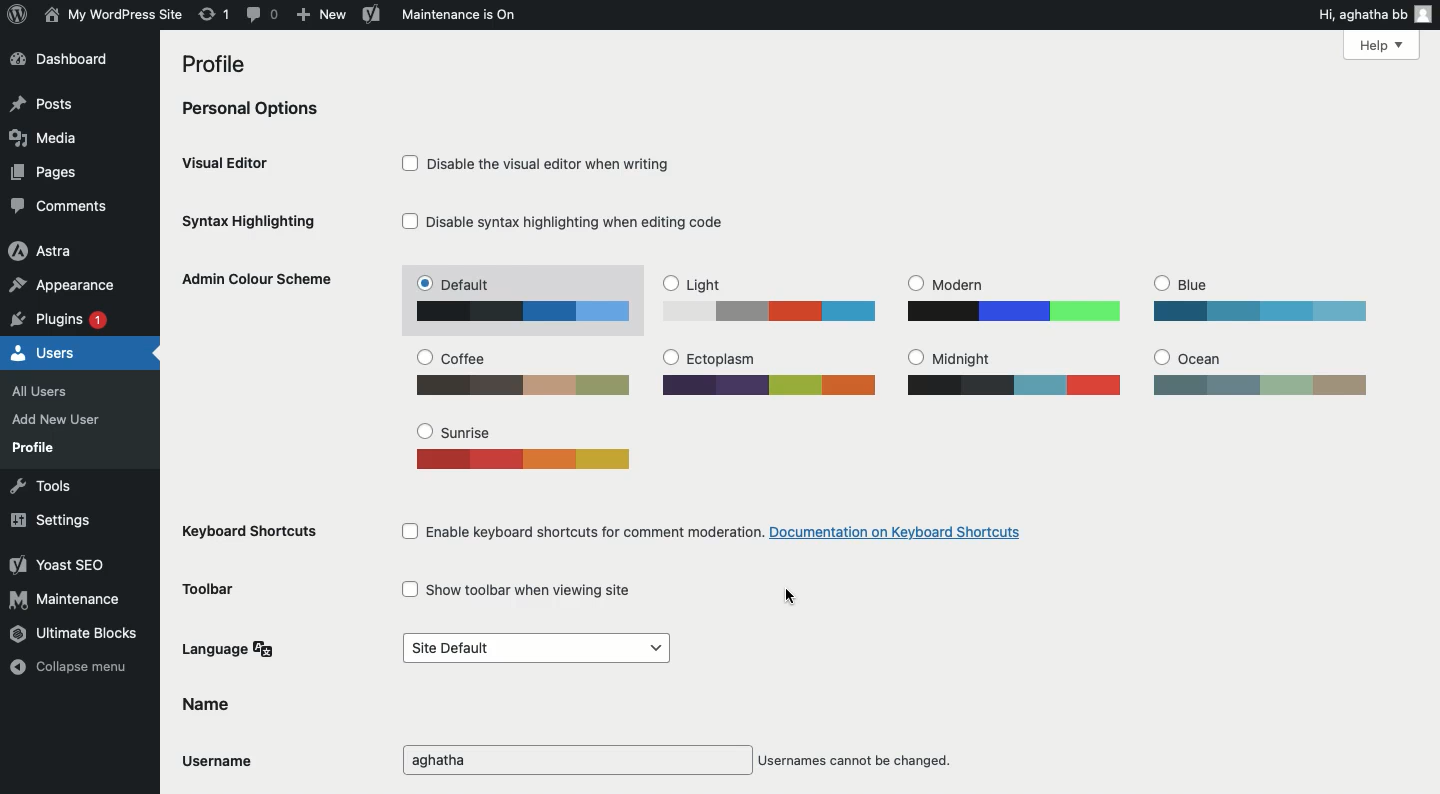 The height and width of the screenshot is (794, 1440). I want to click on Posts, so click(43, 106).